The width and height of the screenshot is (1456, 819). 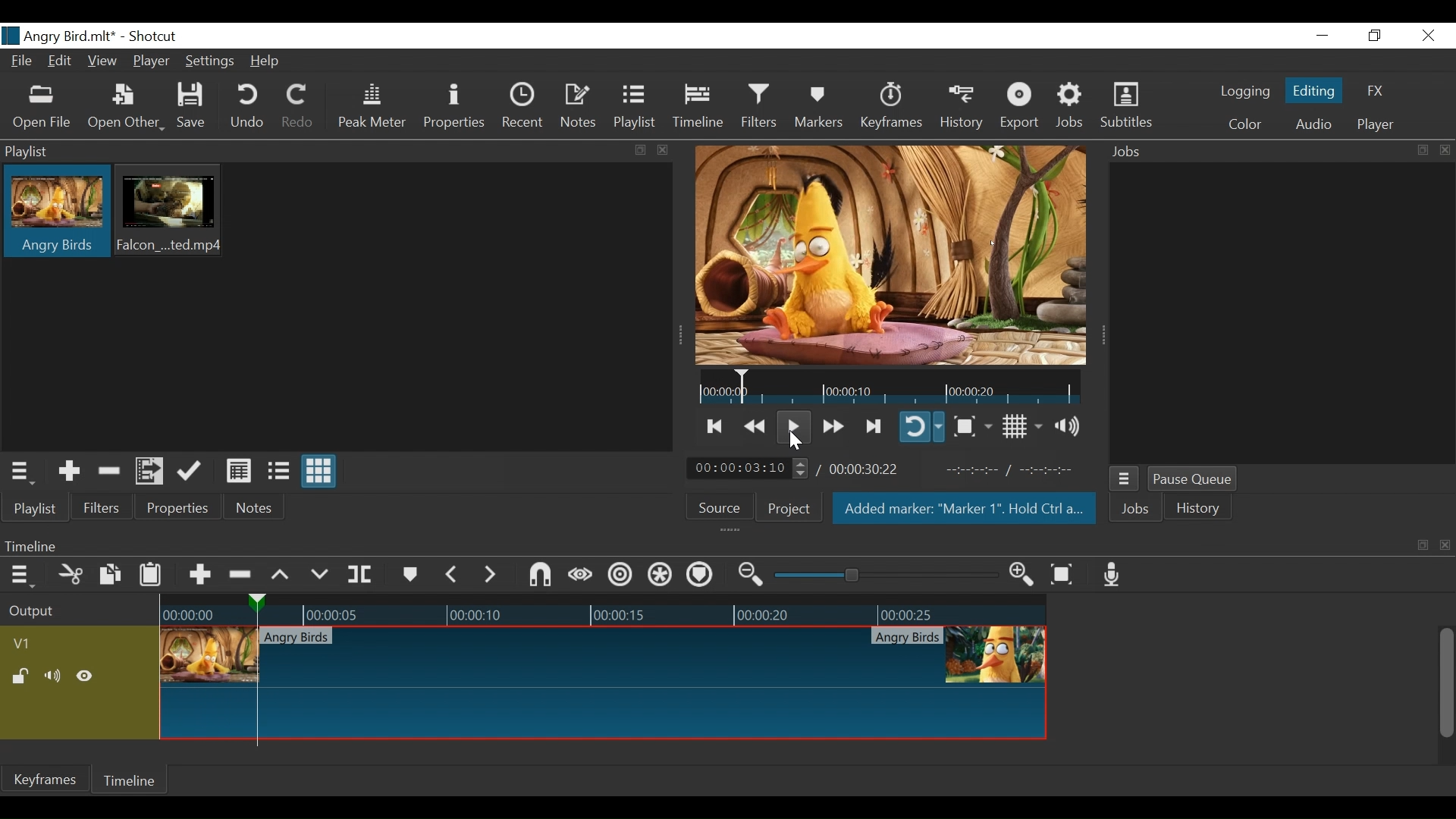 I want to click on Project, so click(x=790, y=511).